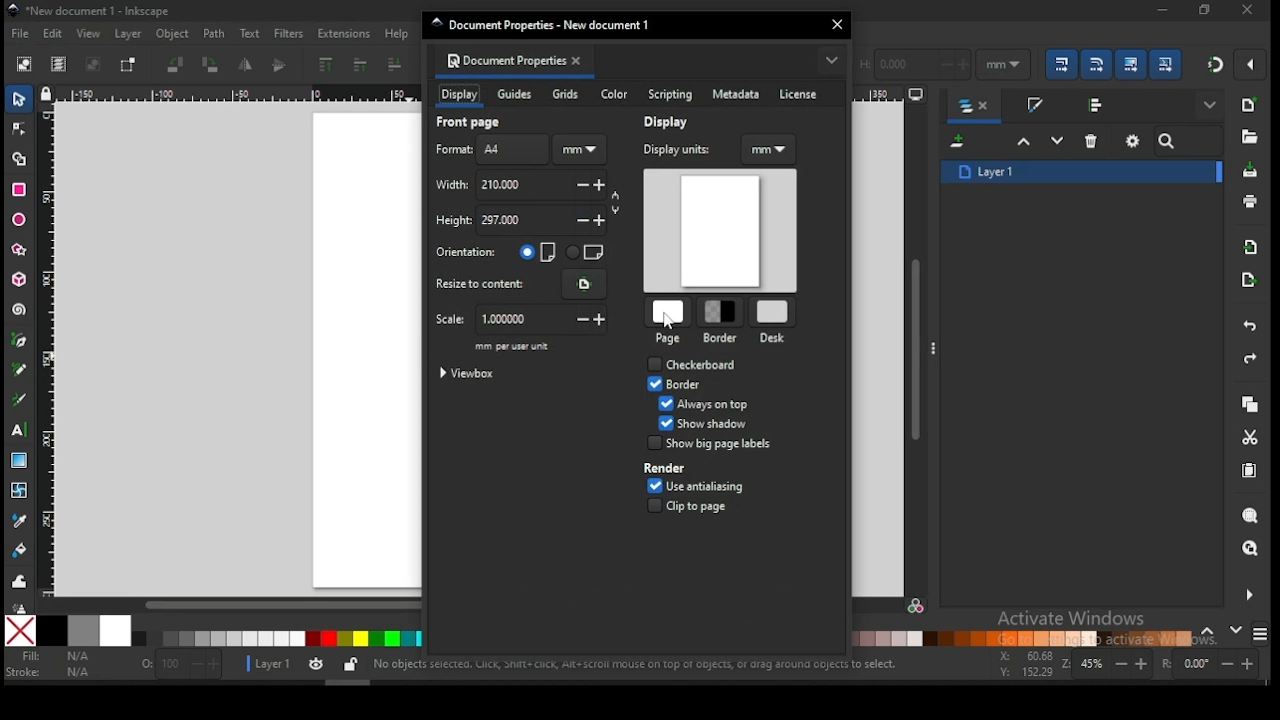  Describe the element at coordinates (246, 65) in the screenshot. I see `object flip horizontal` at that location.